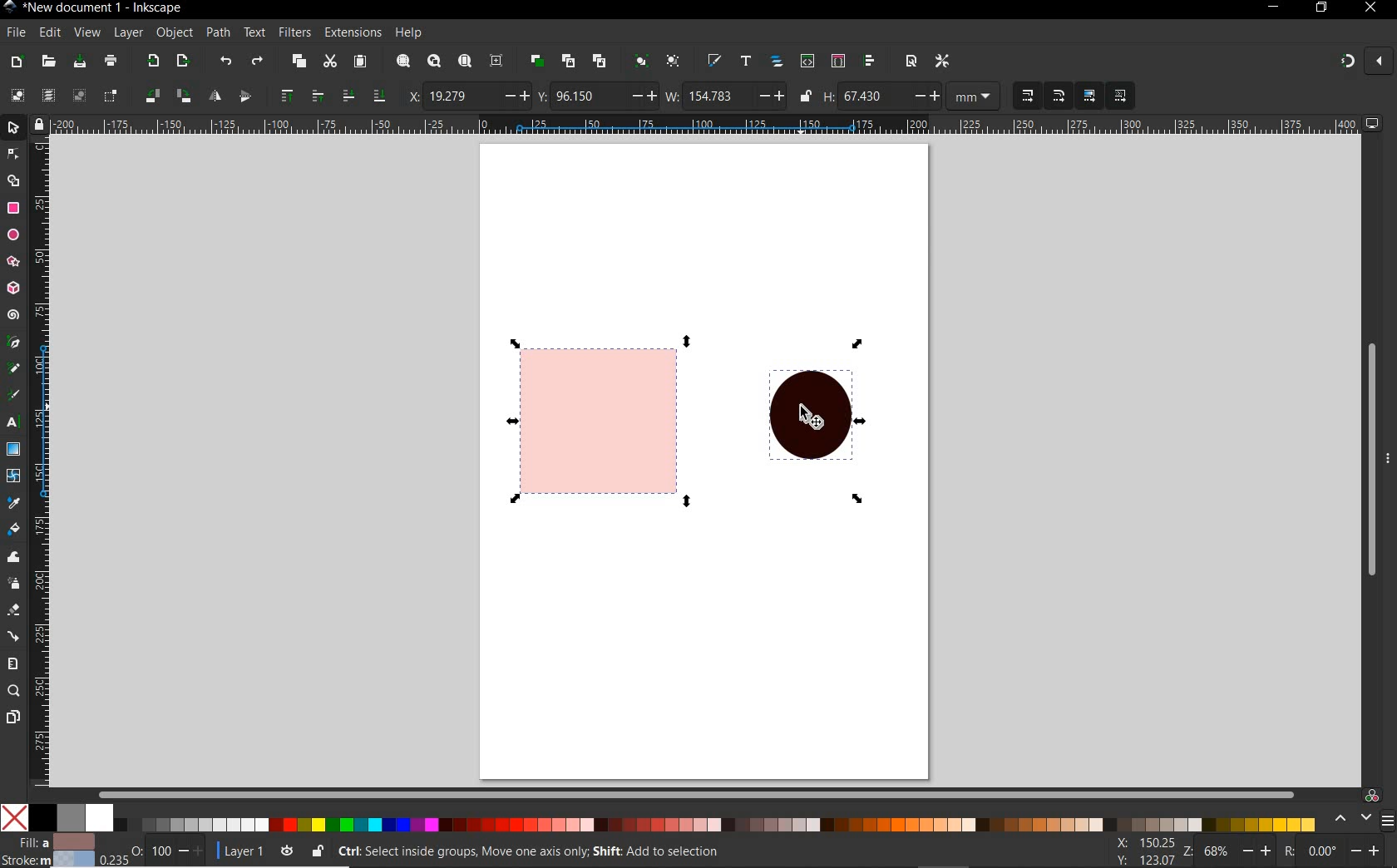  What do you see at coordinates (1118, 96) in the screenshot?
I see `move pattern` at bounding box center [1118, 96].